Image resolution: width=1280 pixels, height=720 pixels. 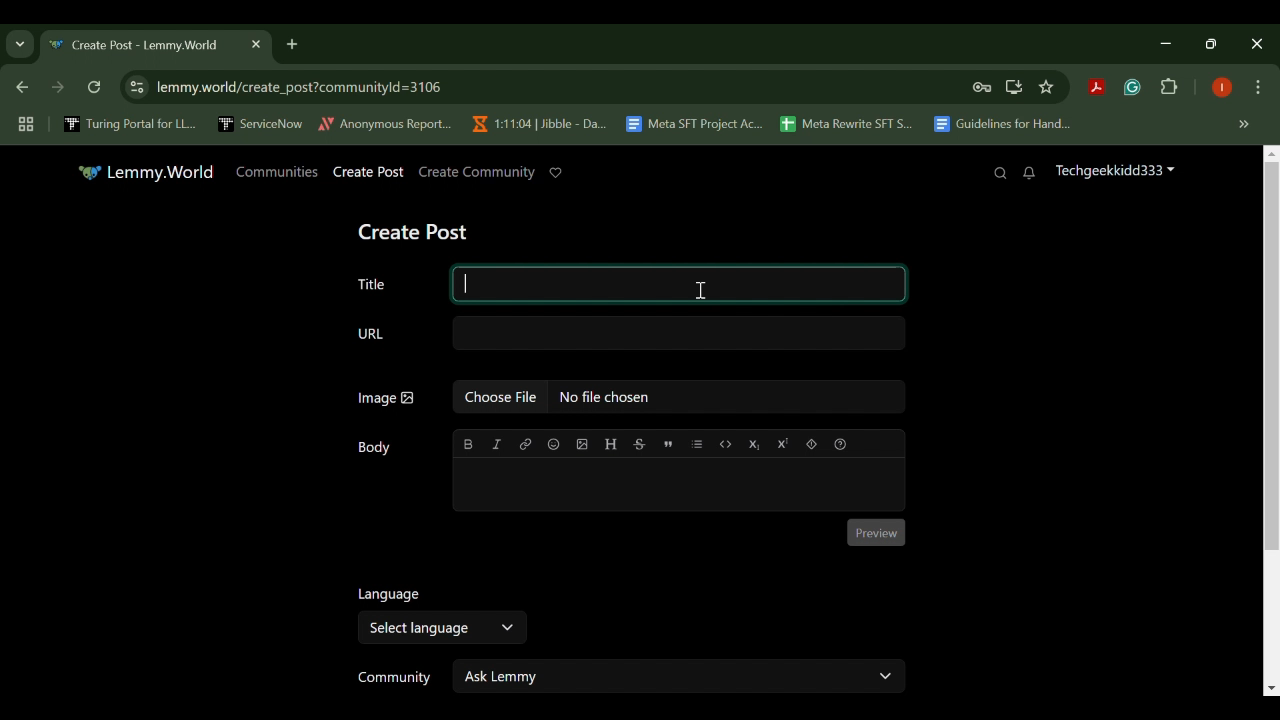 I want to click on Communities, so click(x=277, y=171).